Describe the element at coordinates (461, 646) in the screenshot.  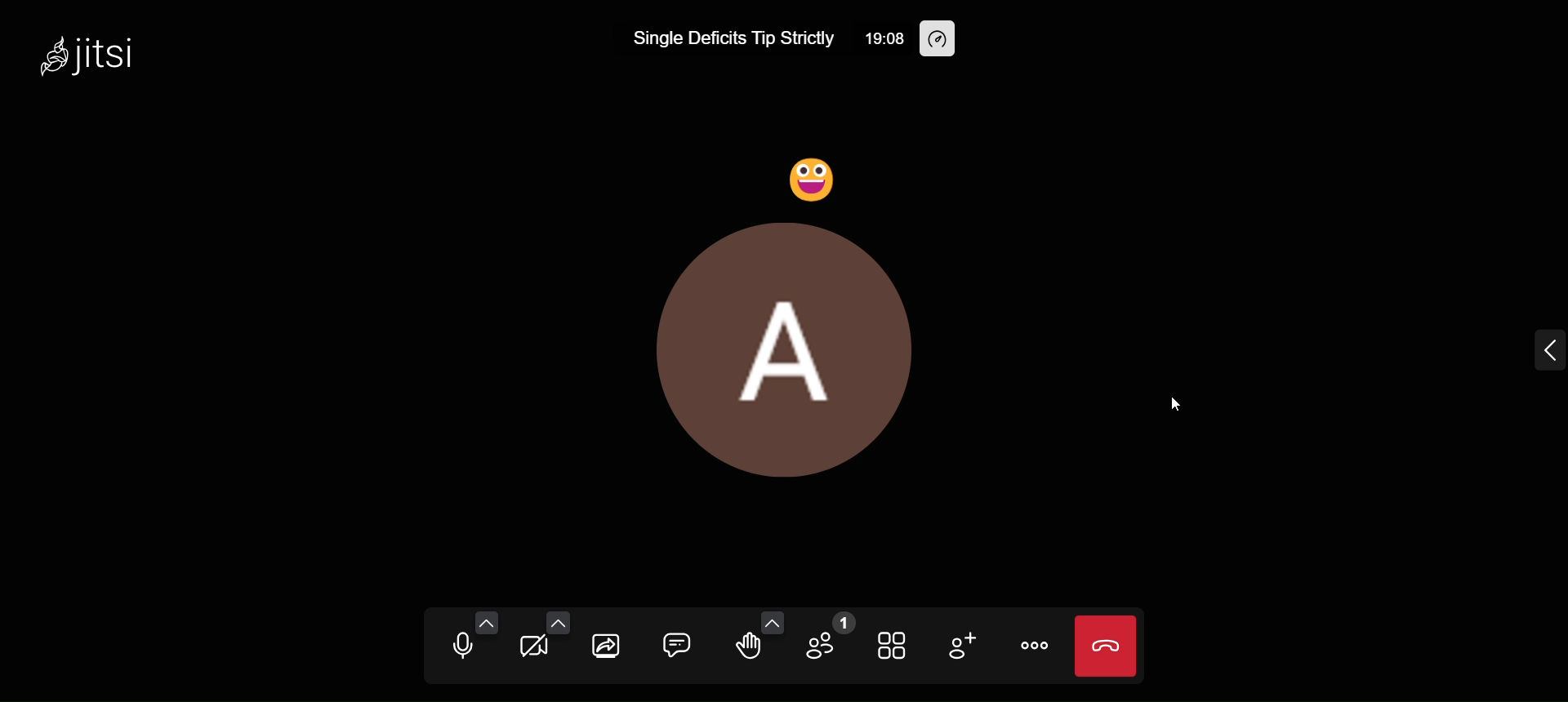
I see `mute microphone` at that location.